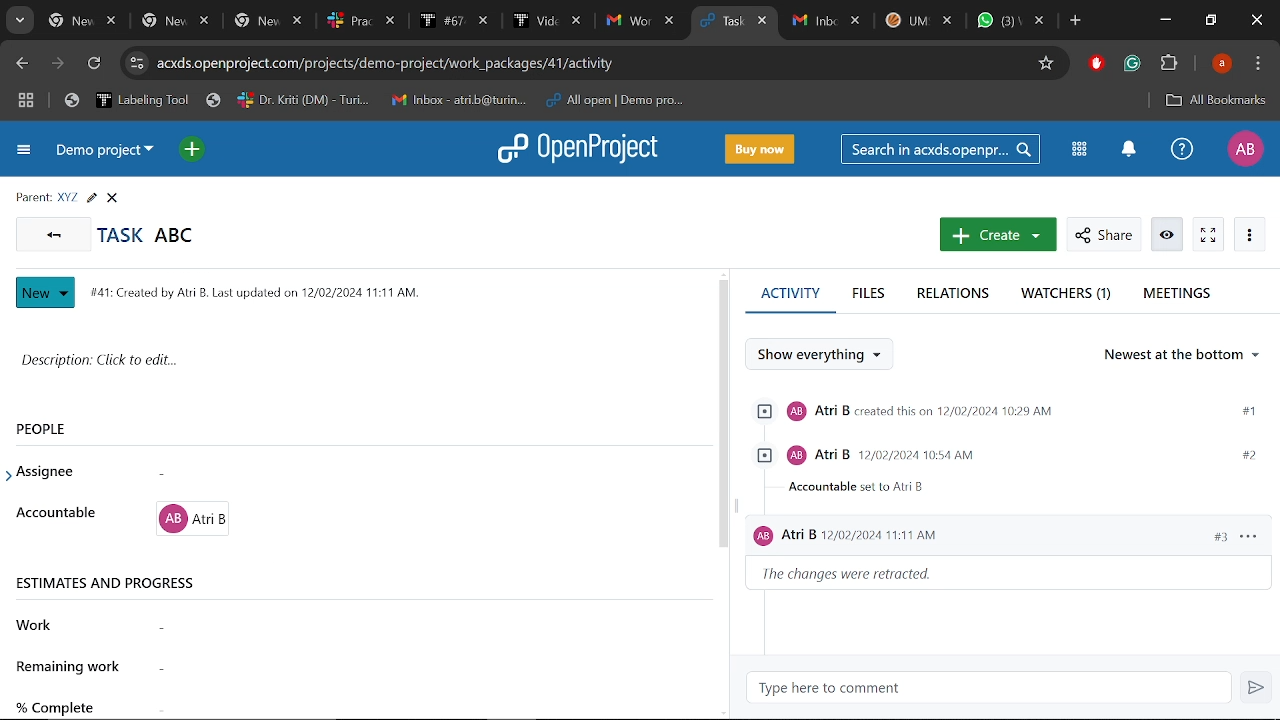 The width and height of the screenshot is (1280, 720). What do you see at coordinates (12, 470) in the screenshot?
I see `arrow head` at bounding box center [12, 470].